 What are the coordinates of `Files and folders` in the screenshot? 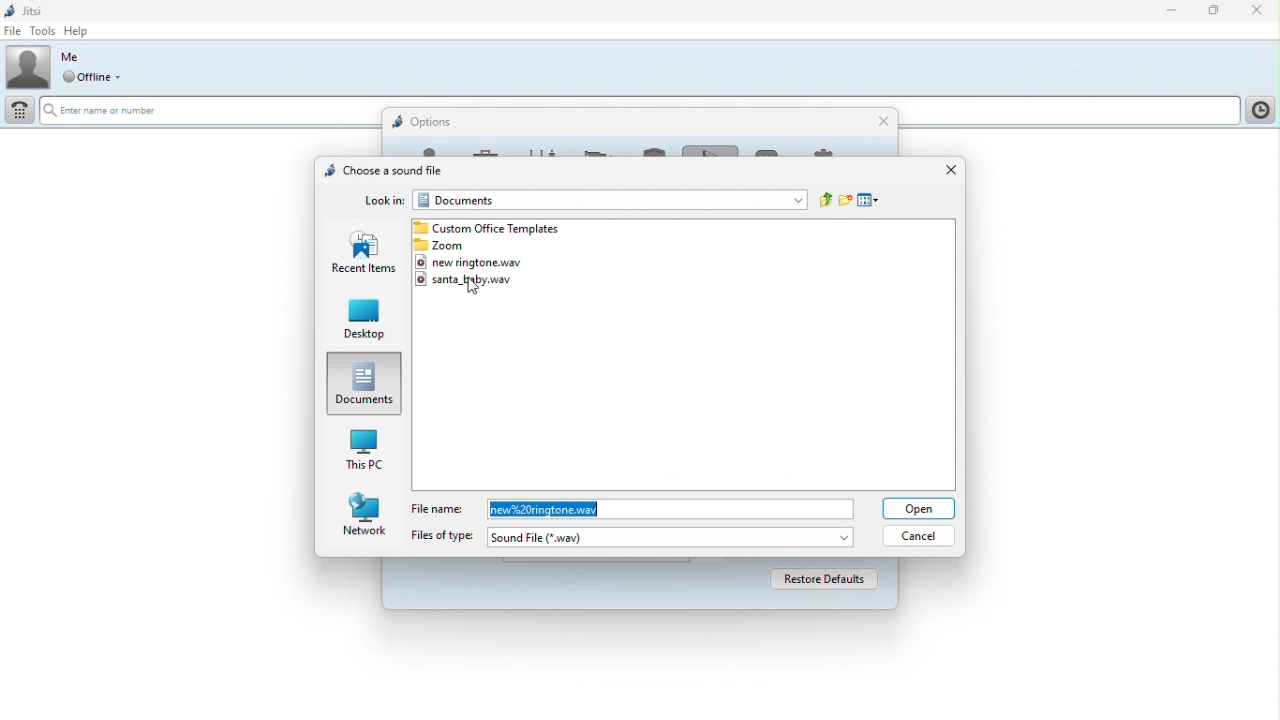 It's located at (491, 227).